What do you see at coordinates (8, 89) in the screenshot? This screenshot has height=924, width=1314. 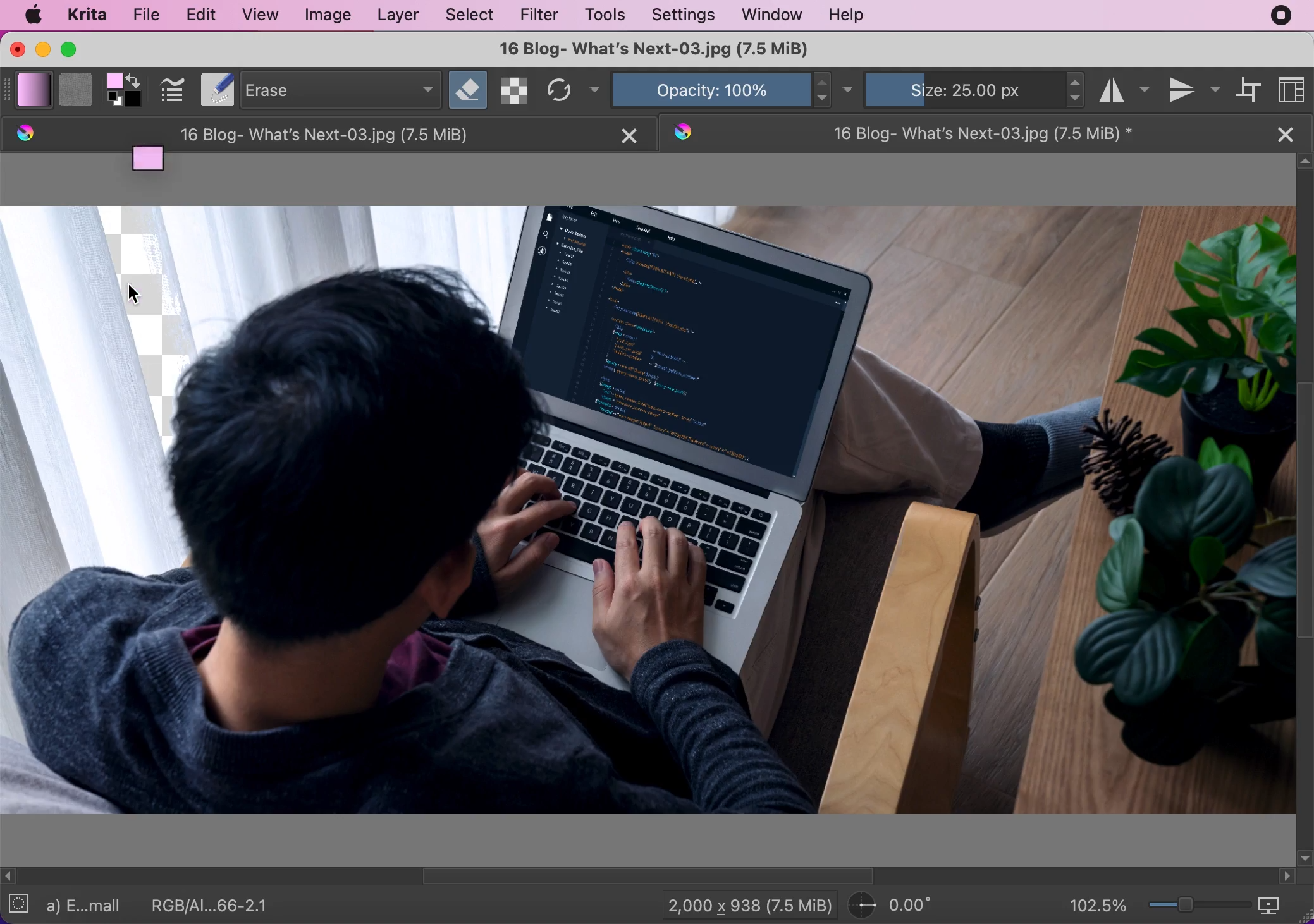 I see `expand bar` at bounding box center [8, 89].